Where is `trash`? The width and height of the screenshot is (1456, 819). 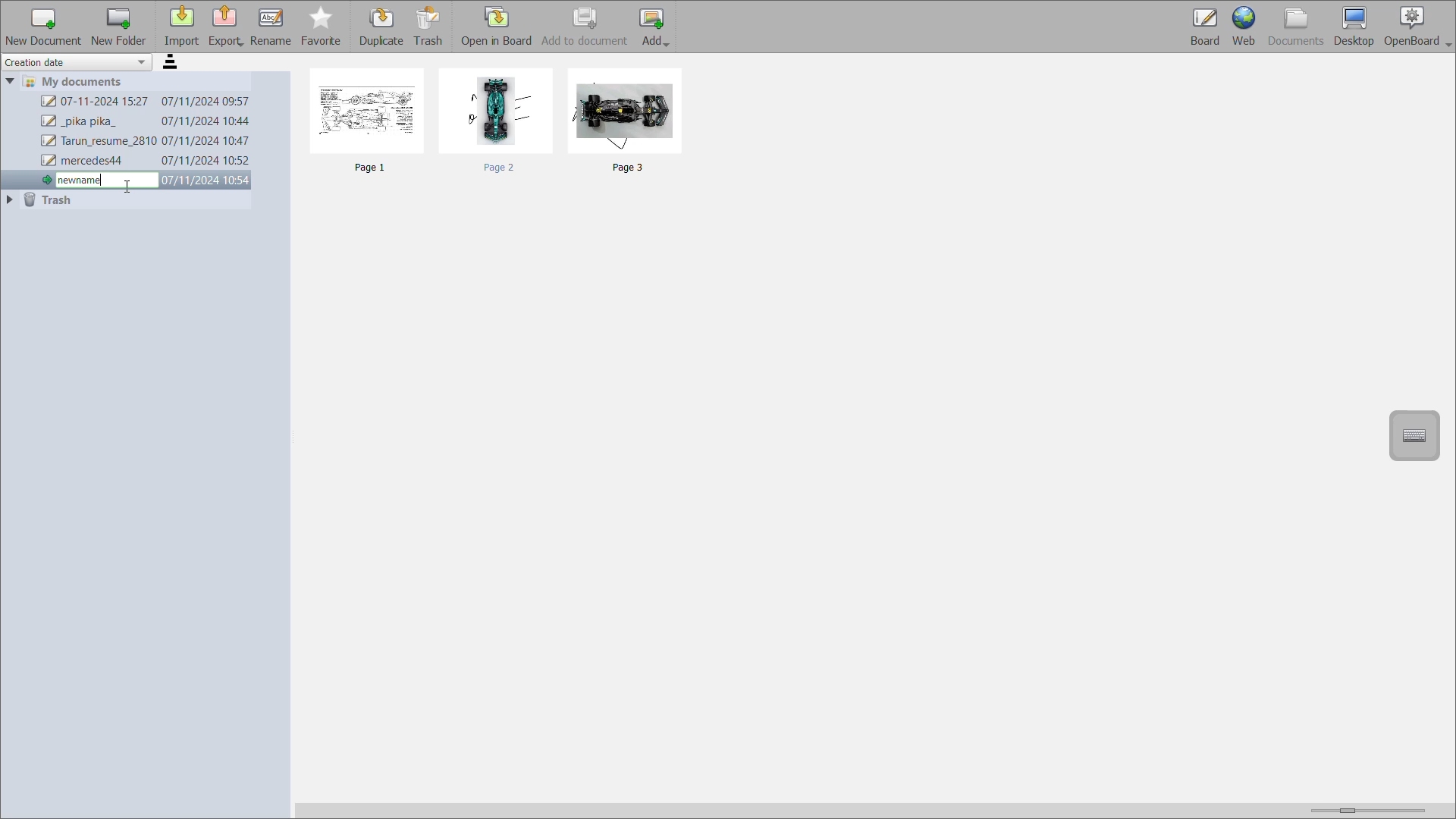
trash is located at coordinates (52, 201).